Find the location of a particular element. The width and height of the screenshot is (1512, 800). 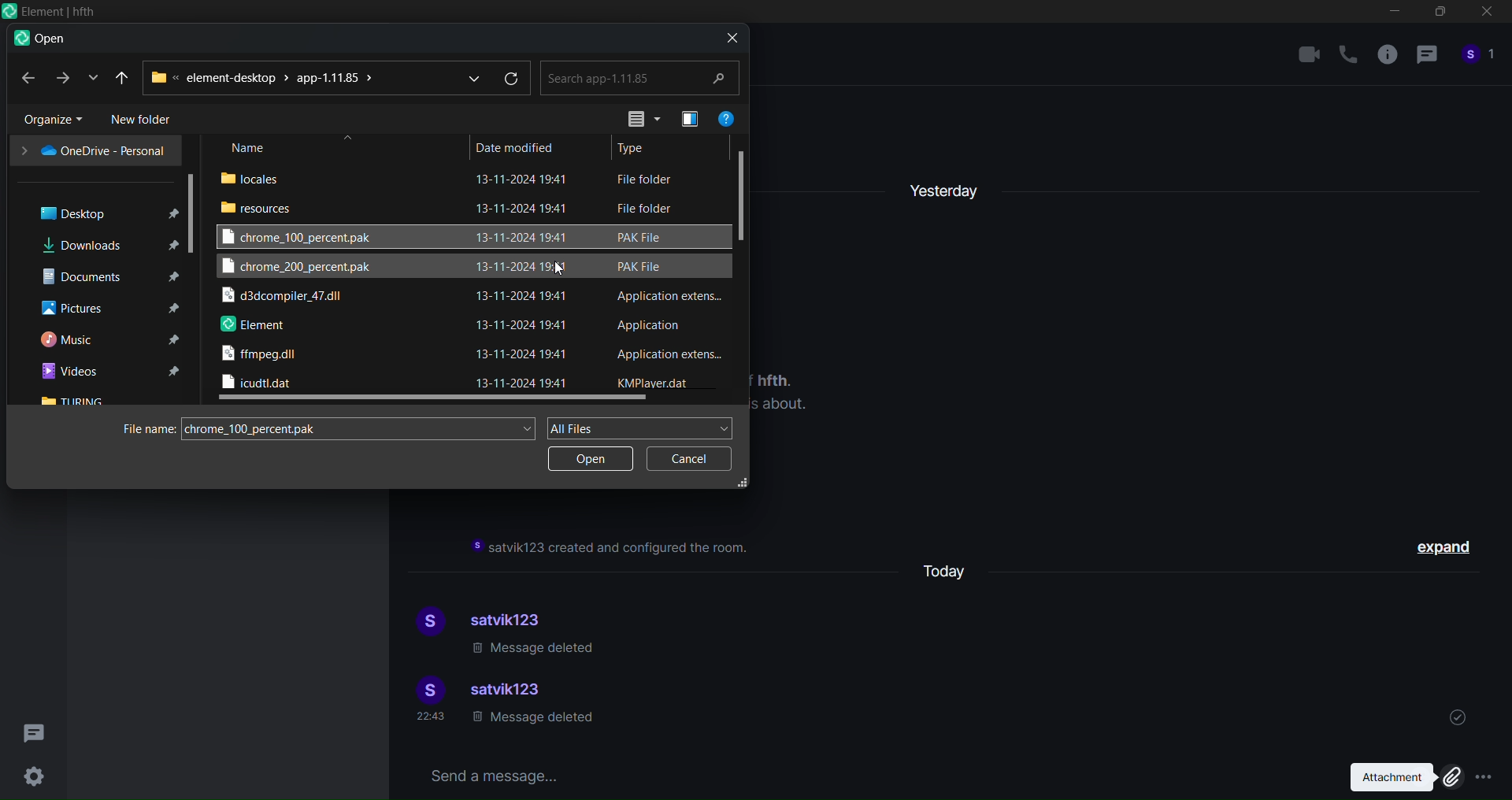

Icon is located at coordinates (49, 12).